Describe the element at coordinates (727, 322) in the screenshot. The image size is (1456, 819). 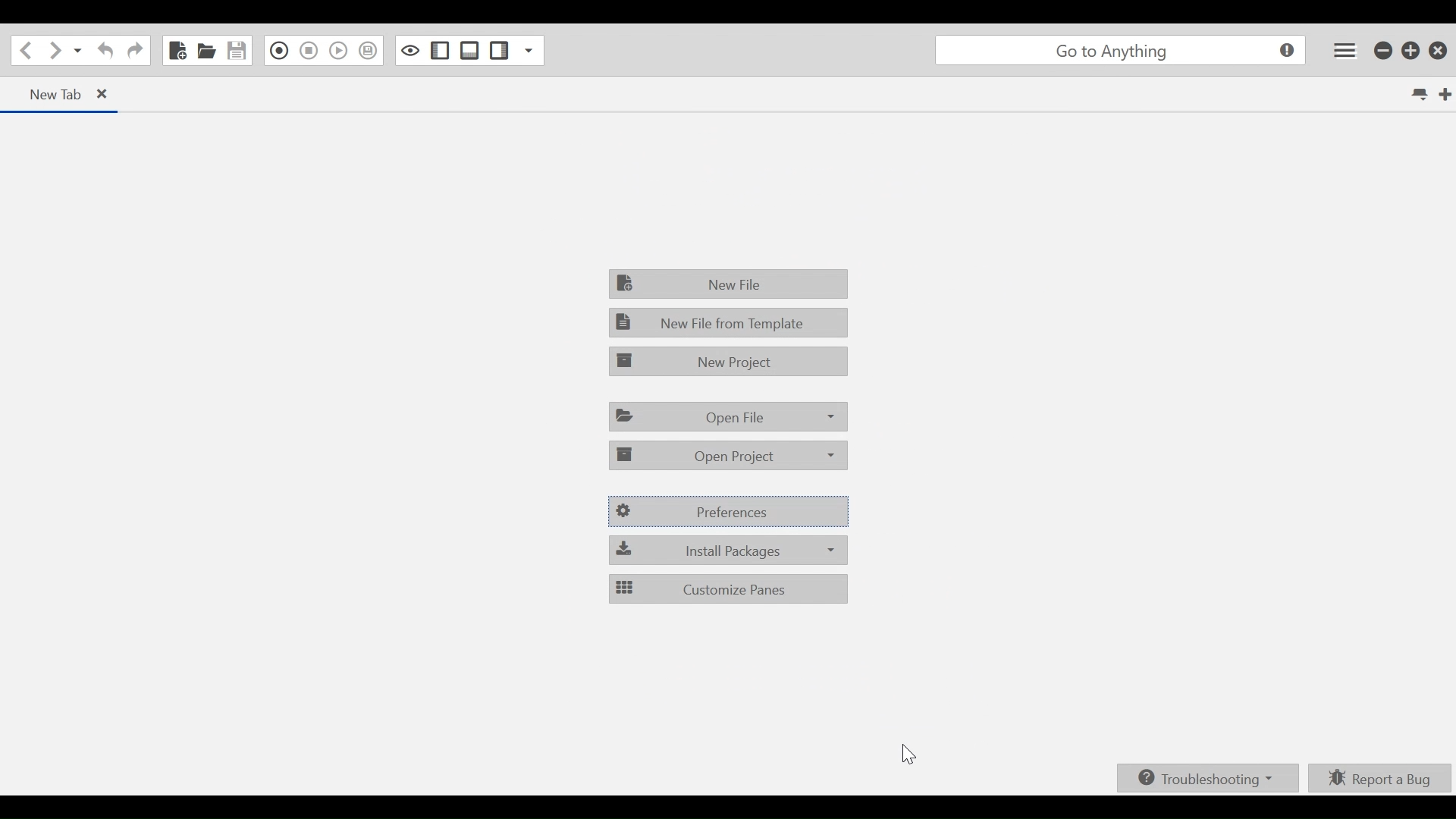
I see `New File from Template ` at that location.